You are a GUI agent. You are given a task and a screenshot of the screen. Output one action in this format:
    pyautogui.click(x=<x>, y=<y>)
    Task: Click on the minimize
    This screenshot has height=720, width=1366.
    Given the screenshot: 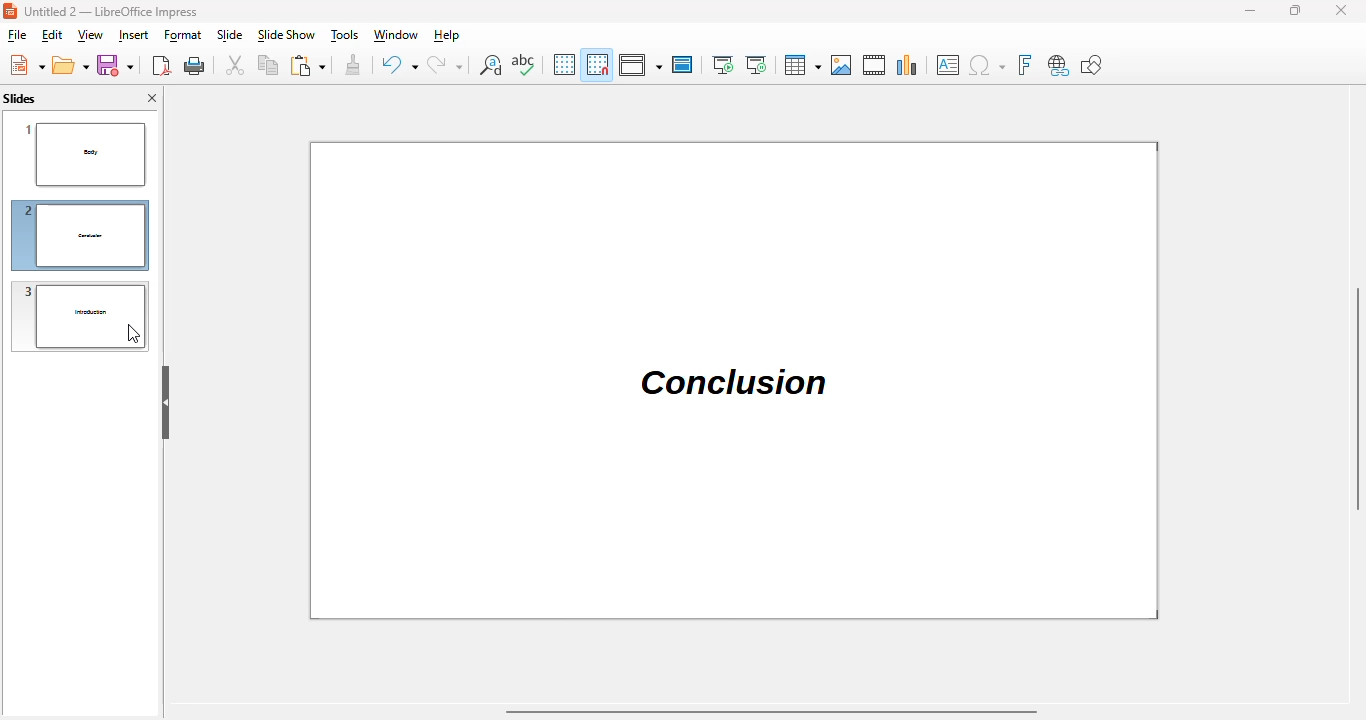 What is the action you would take?
    pyautogui.click(x=1249, y=10)
    